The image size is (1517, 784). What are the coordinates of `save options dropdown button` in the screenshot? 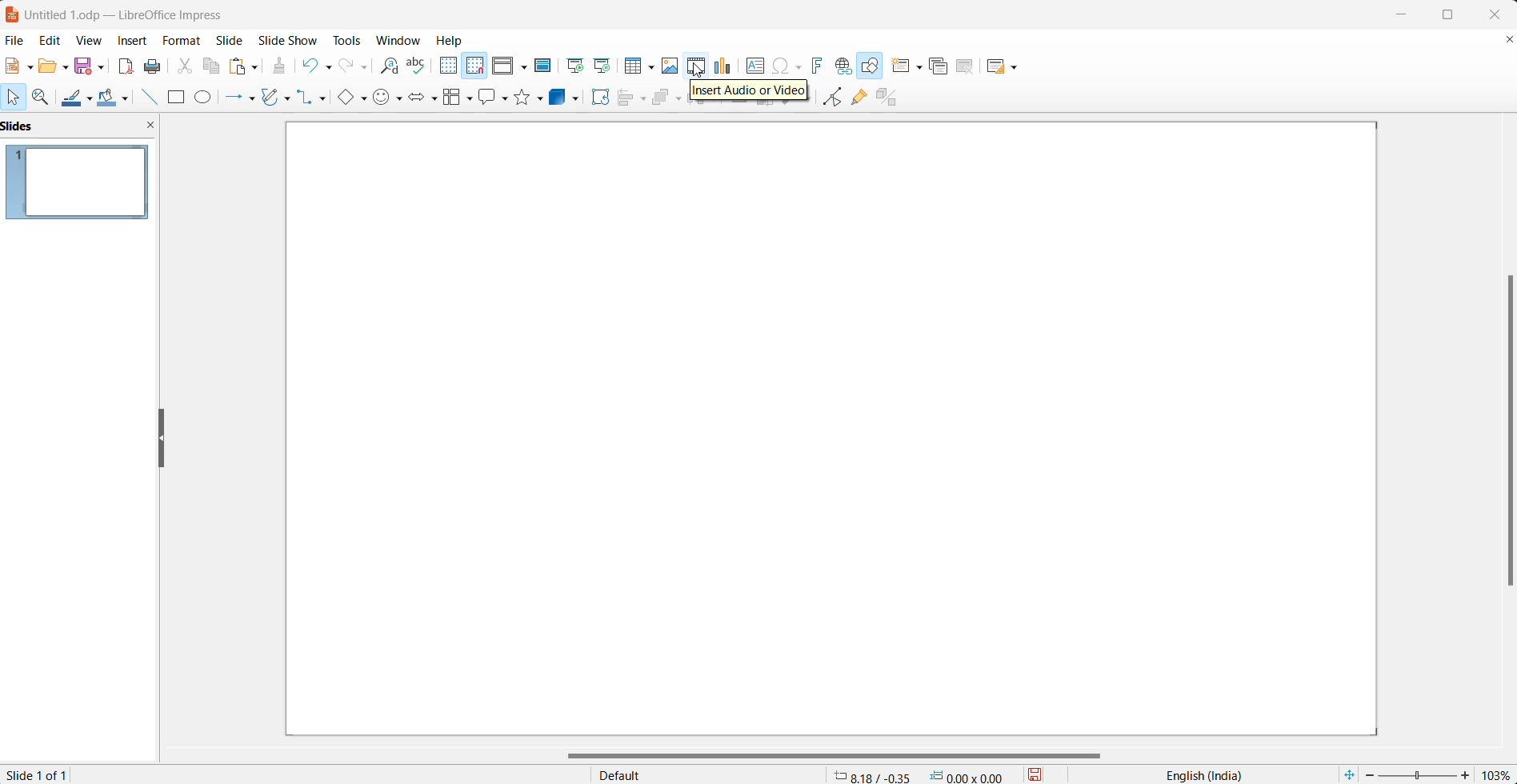 It's located at (104, 64).